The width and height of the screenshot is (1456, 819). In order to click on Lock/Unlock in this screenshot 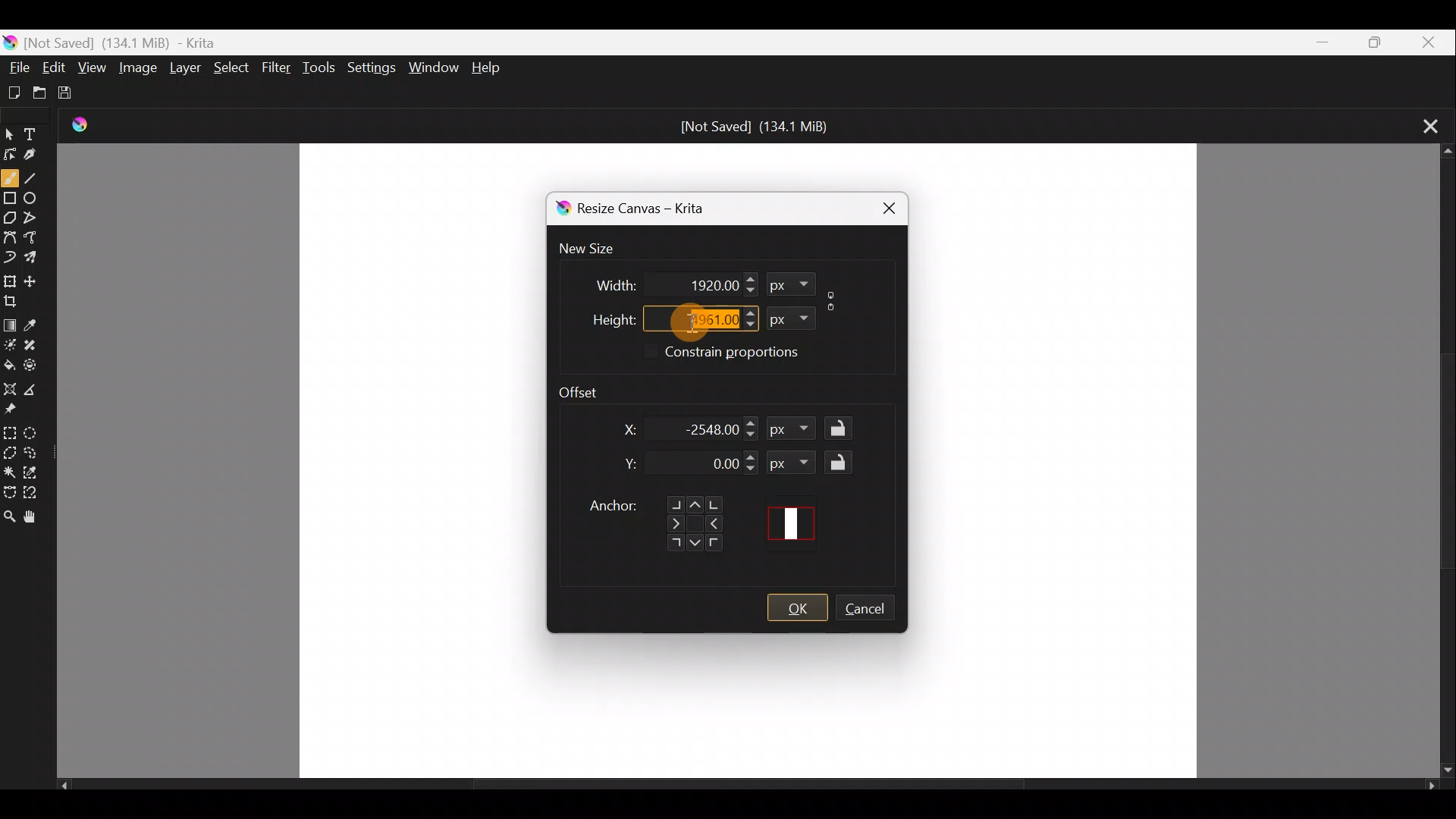, I will do `click(843, 462)`.